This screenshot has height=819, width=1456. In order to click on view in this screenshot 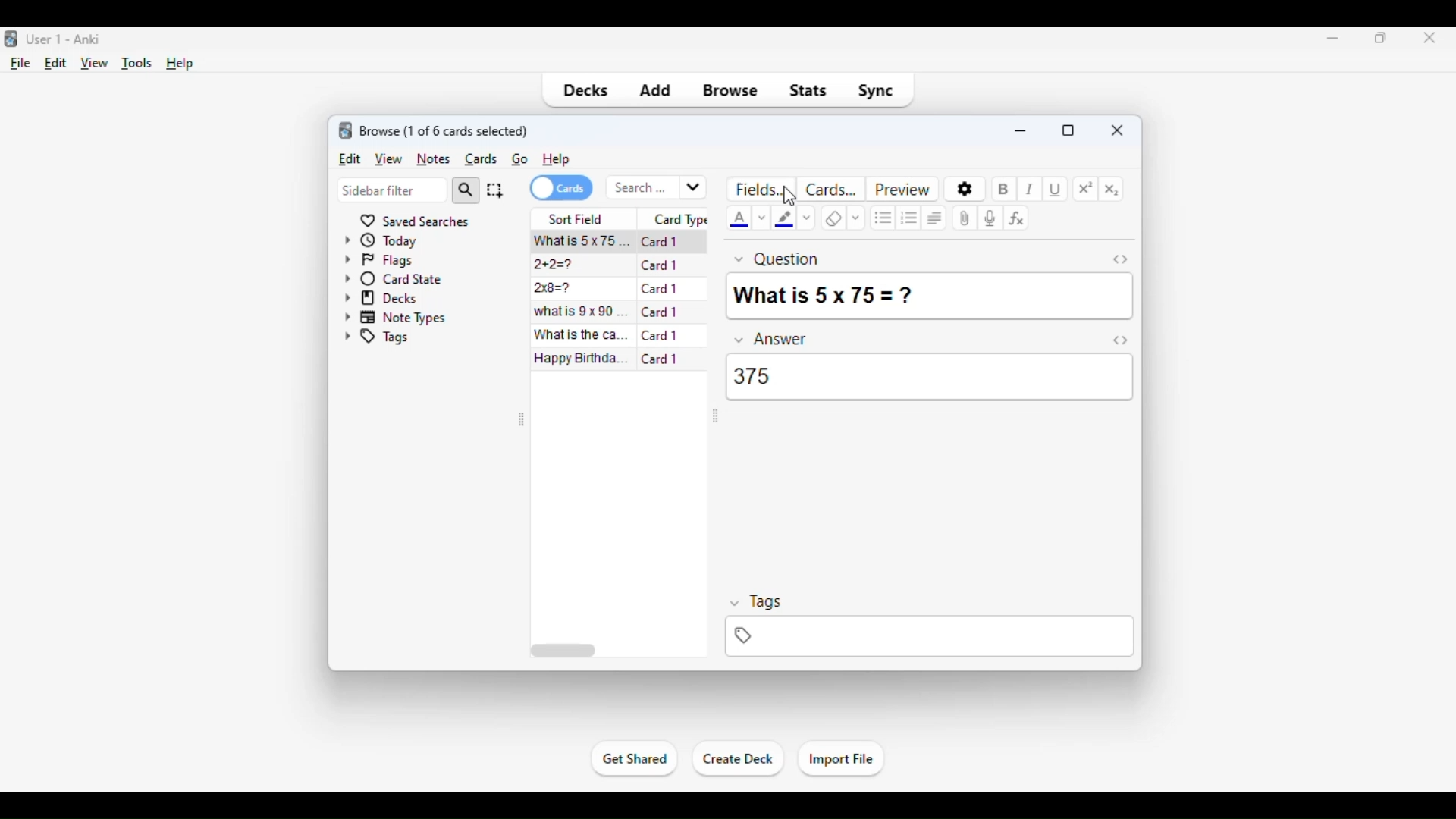, I will do `click(95, 64)`.